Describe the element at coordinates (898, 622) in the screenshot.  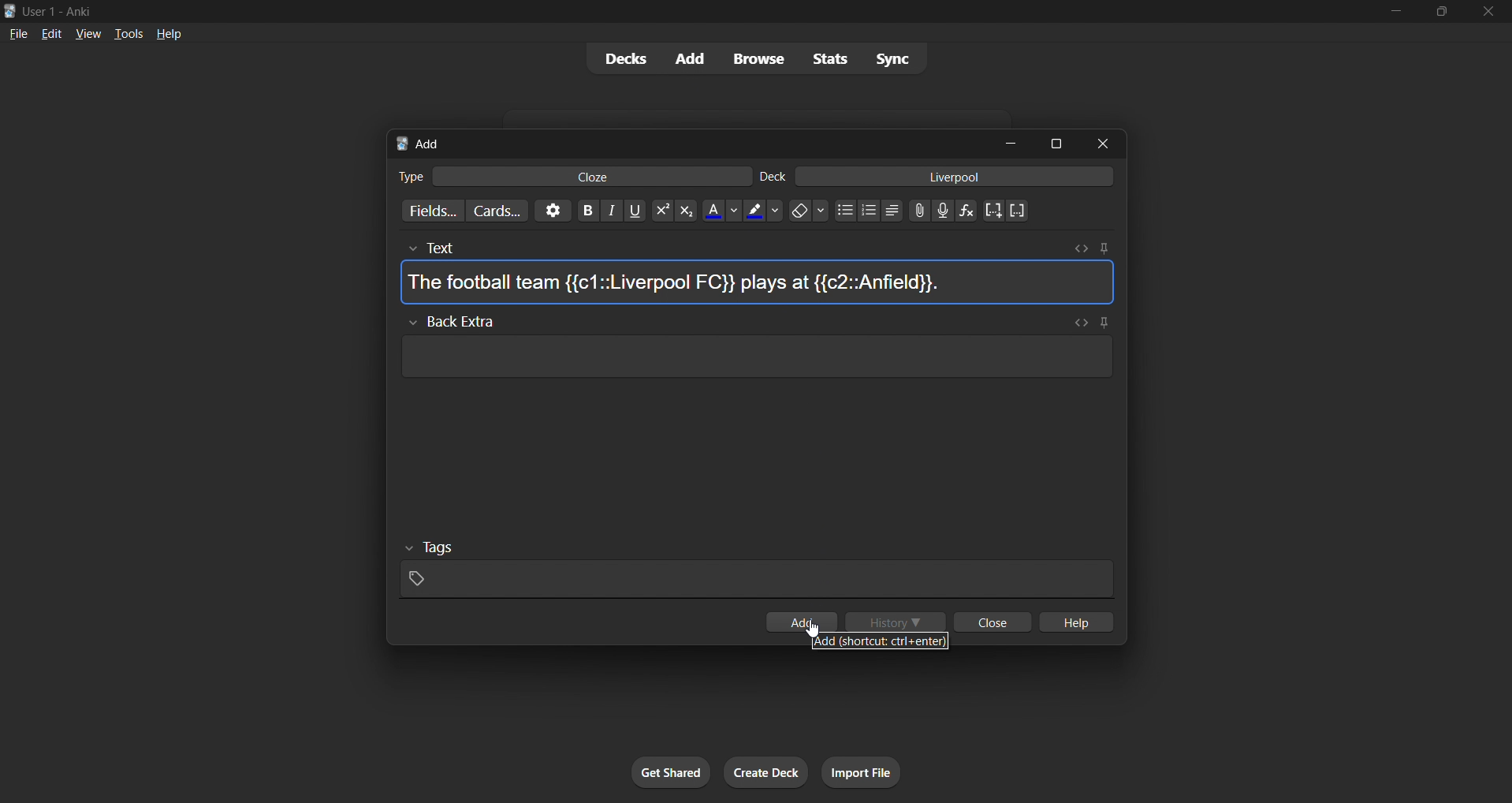
I see `history` at that location.